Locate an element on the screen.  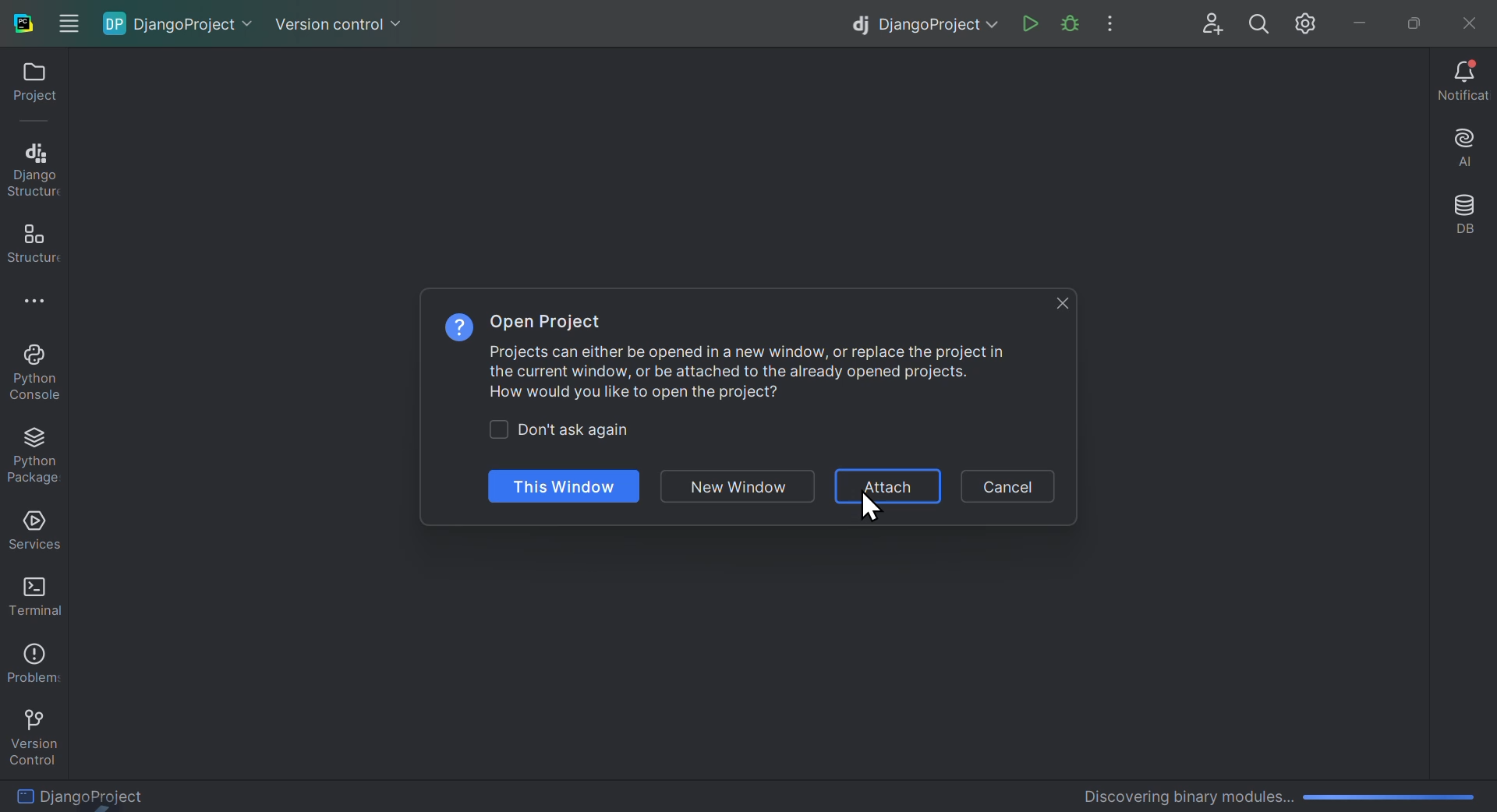
User is located at coordinates (1214, 24).